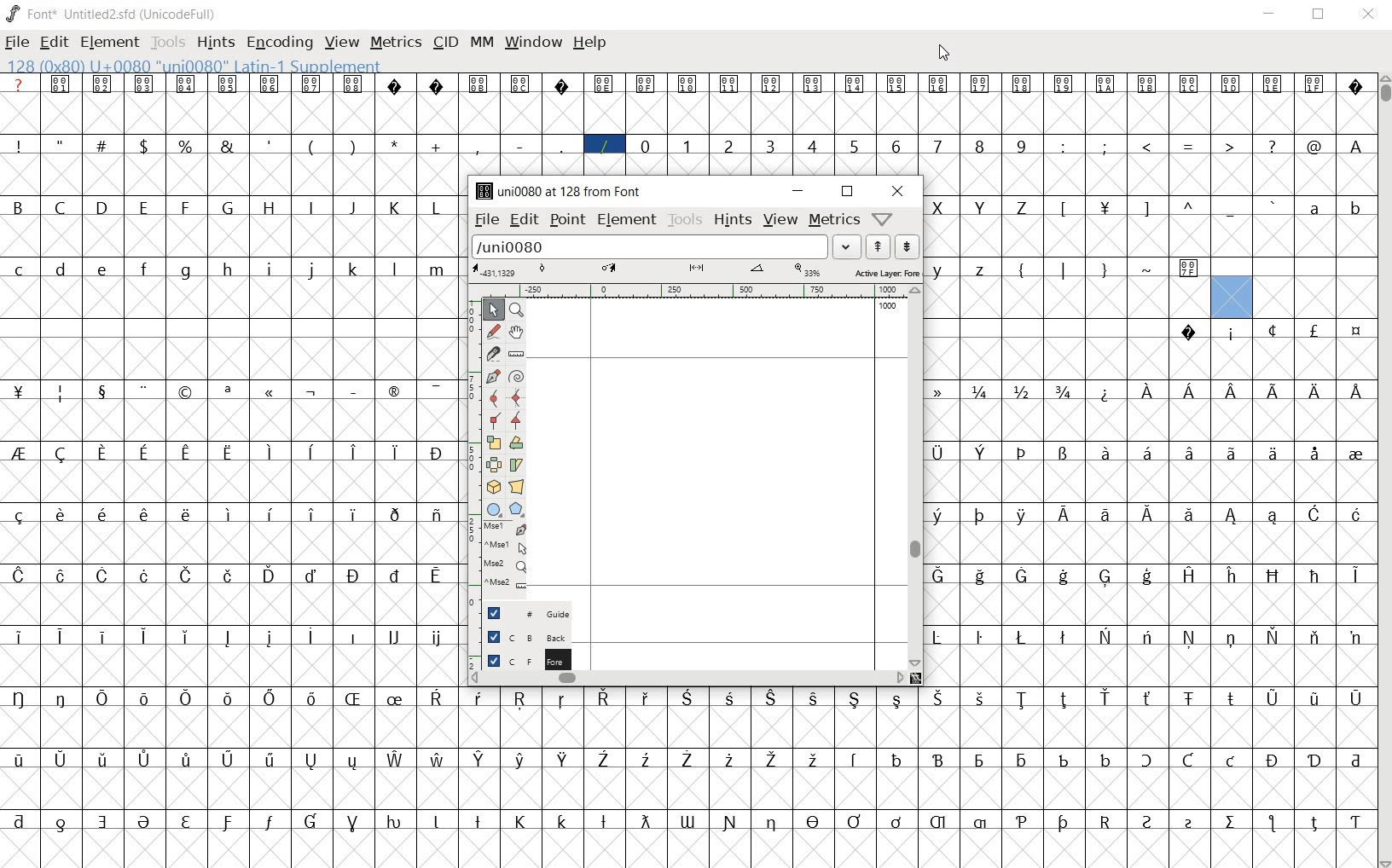 This screenshot has width=1392, height=868. Describe the element at coordinates (352, 698) in the screenshot. I see `glyph` at that location.